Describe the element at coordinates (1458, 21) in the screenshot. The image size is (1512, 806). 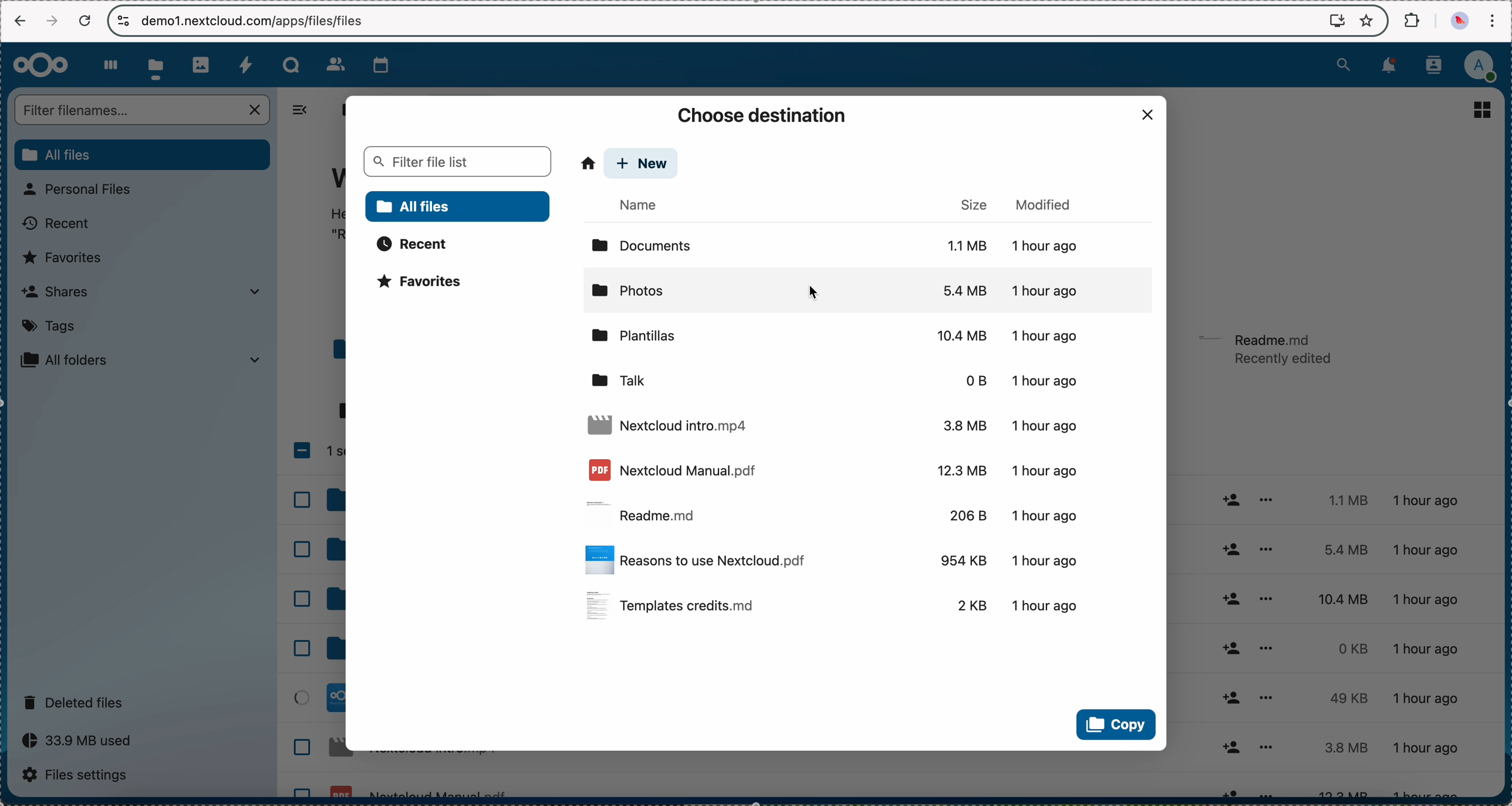
I see `profile picture` at that location.